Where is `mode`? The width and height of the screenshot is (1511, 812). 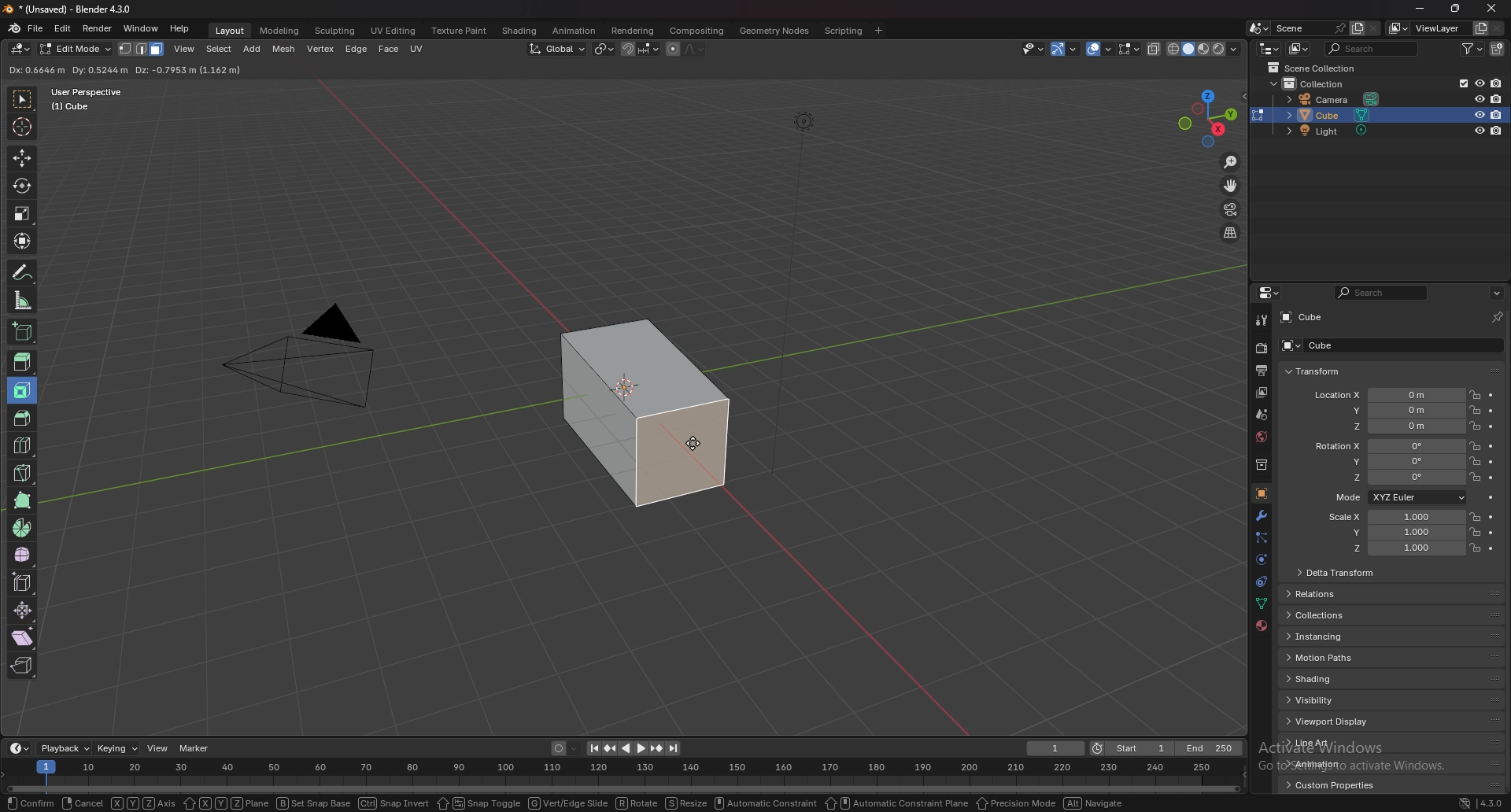 mode is located at coordinates (1398, 496).